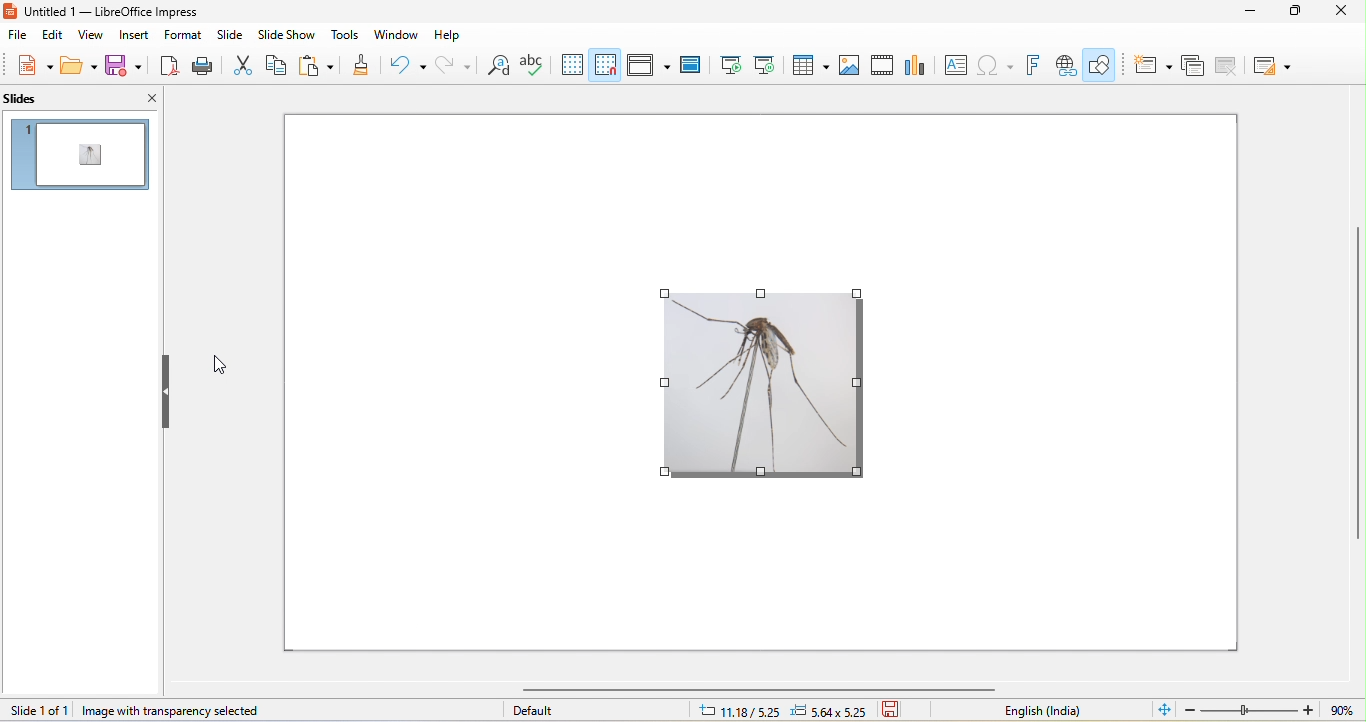 This screenshot has height=722, width=1366. I want to click on start from beginning, so click(730, 65).